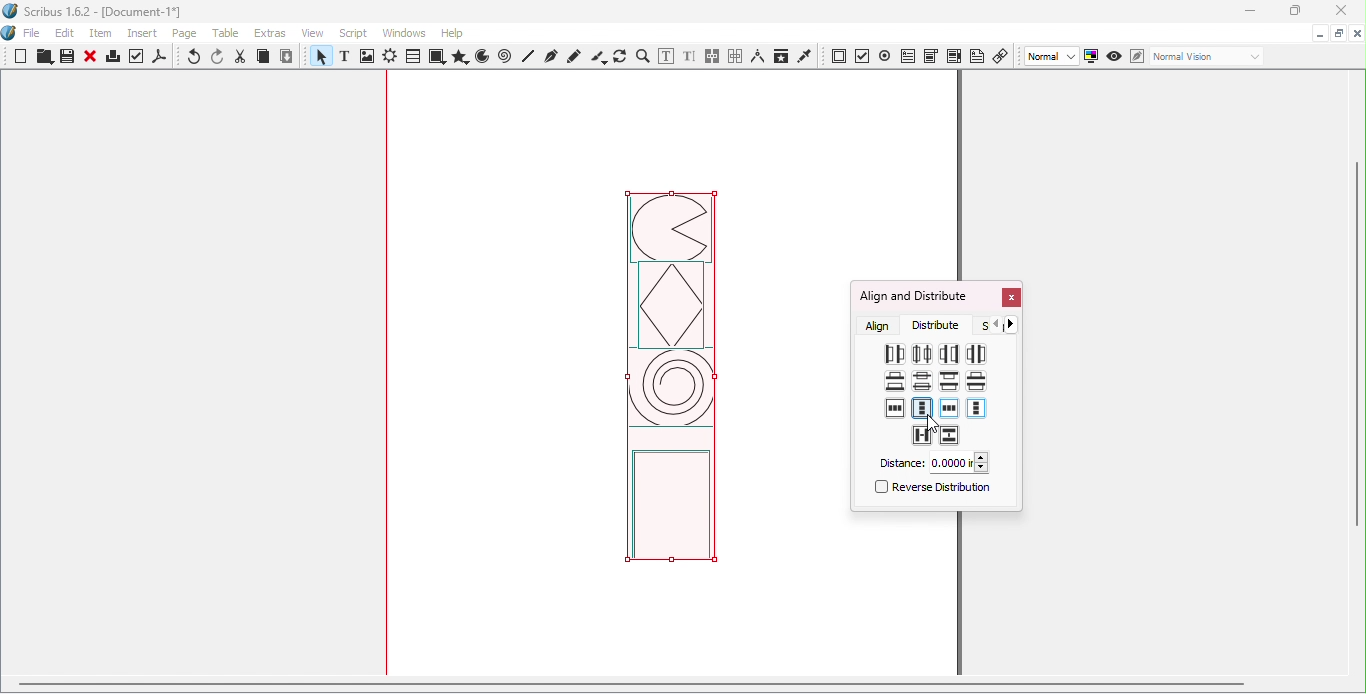 The image size is (1366, 694). What do you see at coordinates (102, 34) in the screenshot?
I see `Item` at bounding box center [102, 34].